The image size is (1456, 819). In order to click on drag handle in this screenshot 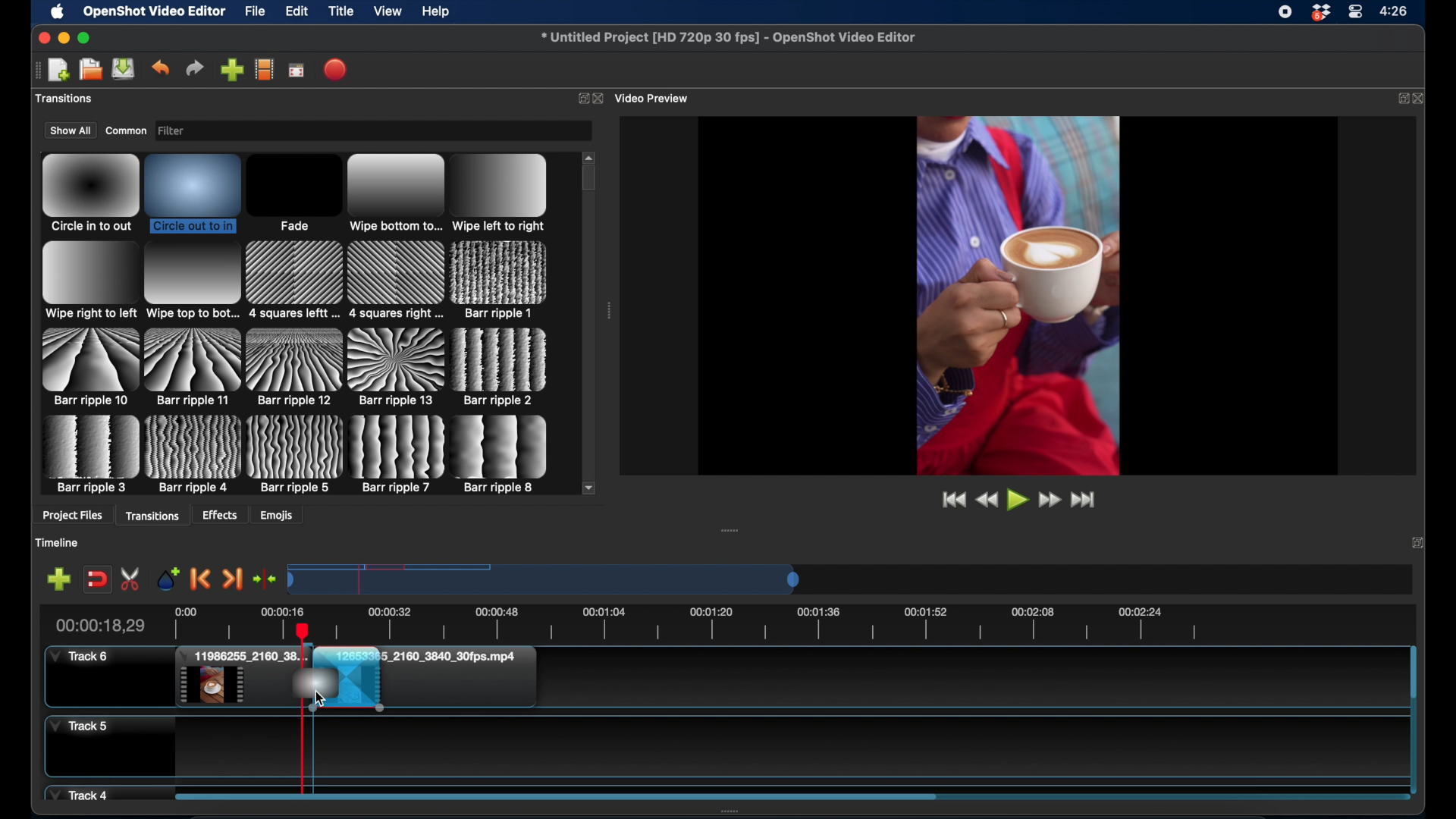, I will do `click(36, 69)`.